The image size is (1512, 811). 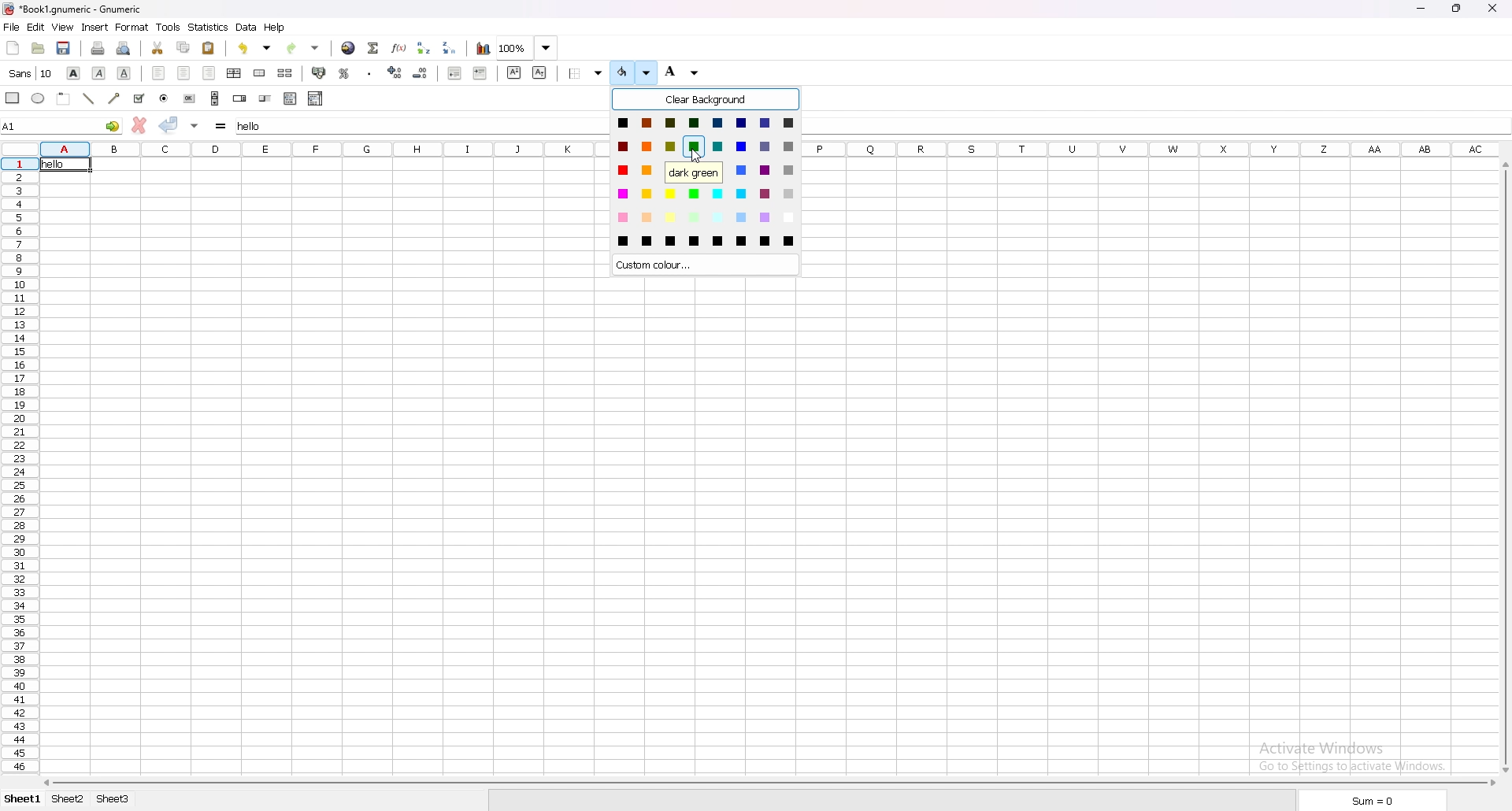 What do you see at coordinates (168, 26) in the screenshot?
I see `tools` at bounding box center [168, 26].